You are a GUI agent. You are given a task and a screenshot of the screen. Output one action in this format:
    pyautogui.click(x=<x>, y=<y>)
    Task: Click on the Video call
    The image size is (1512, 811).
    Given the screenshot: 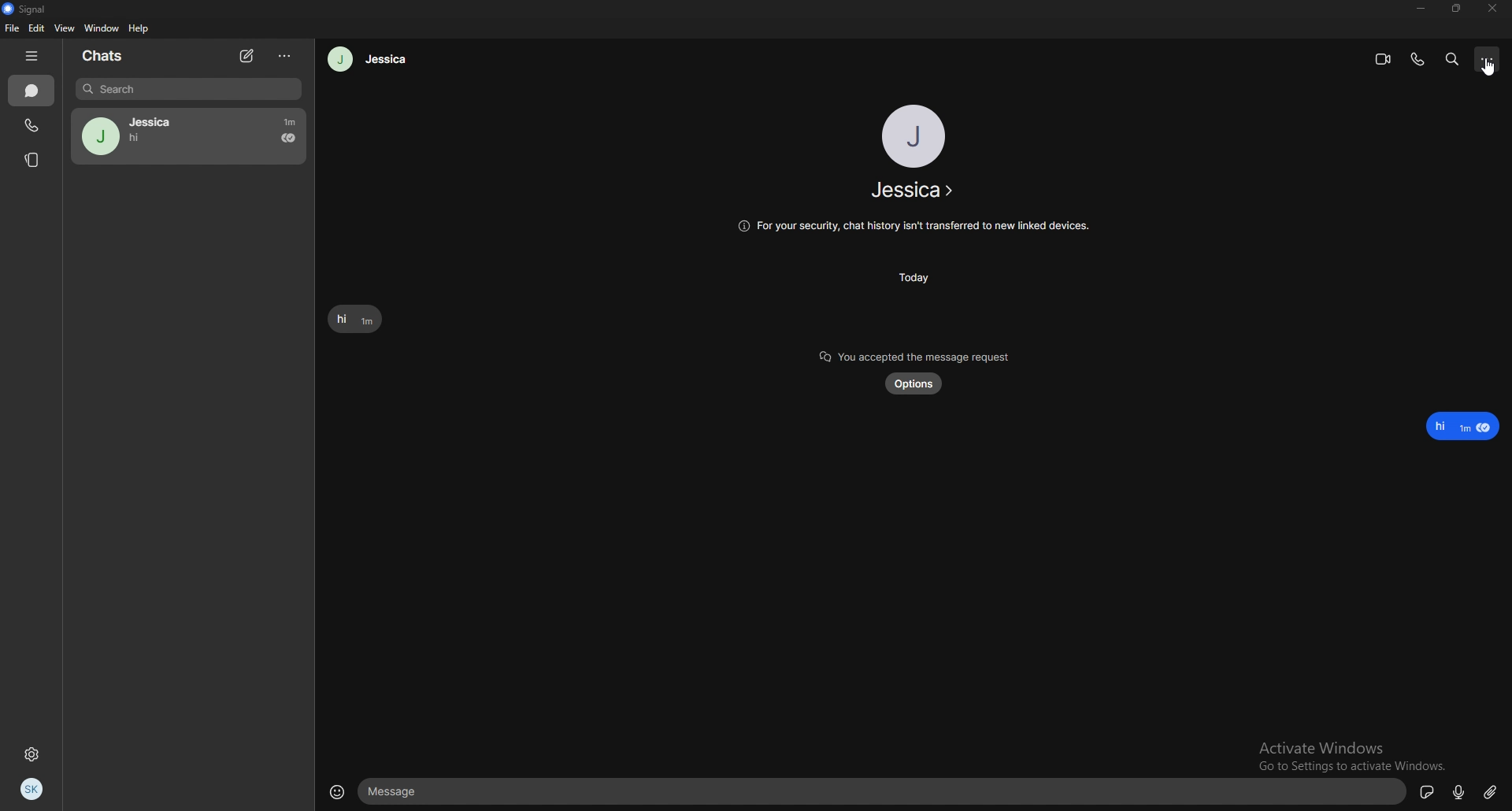 What is the action you would take?
    pyautogui.click(x=1384, y=60)
    